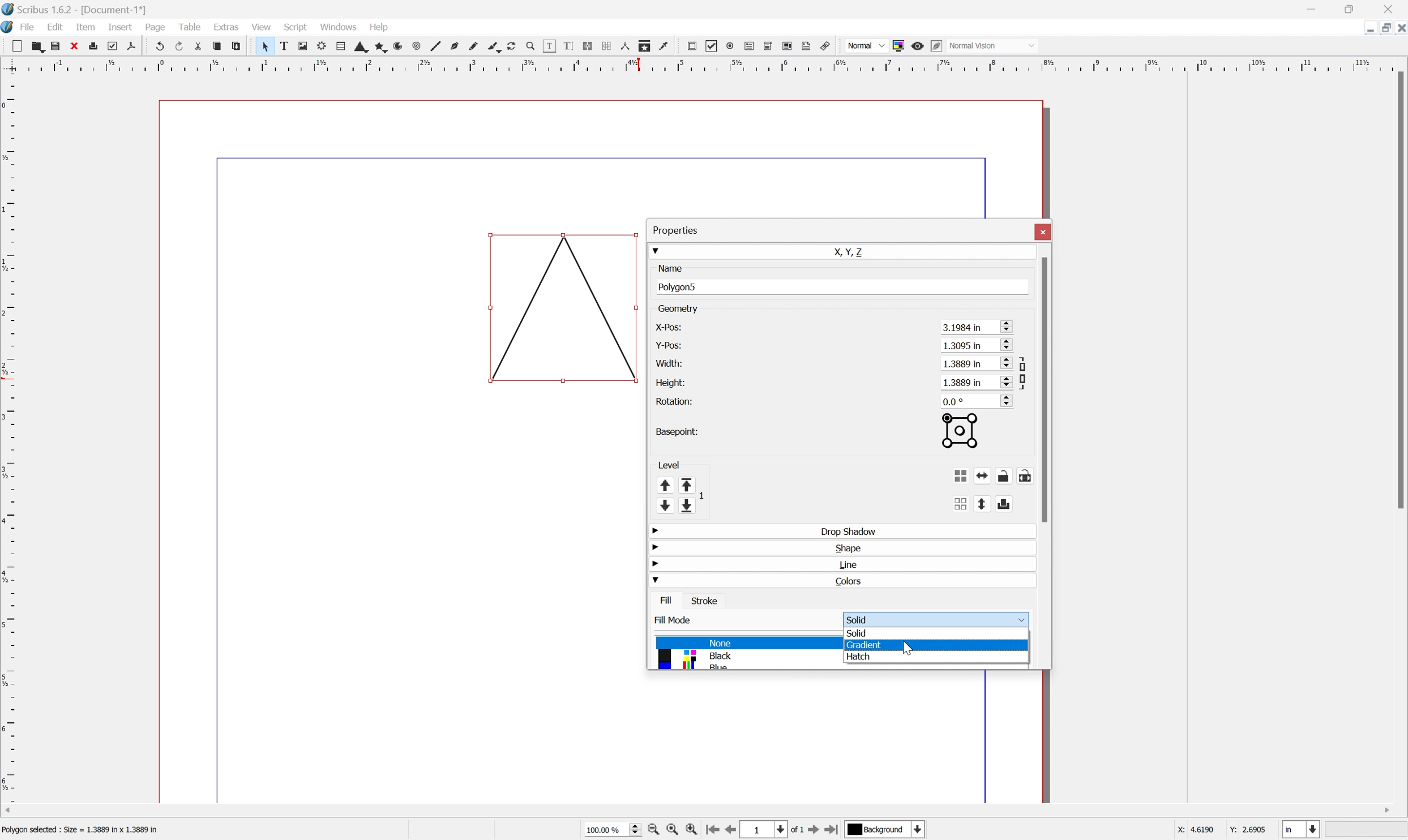  I want to click on Minimize, so click(1313, 7).